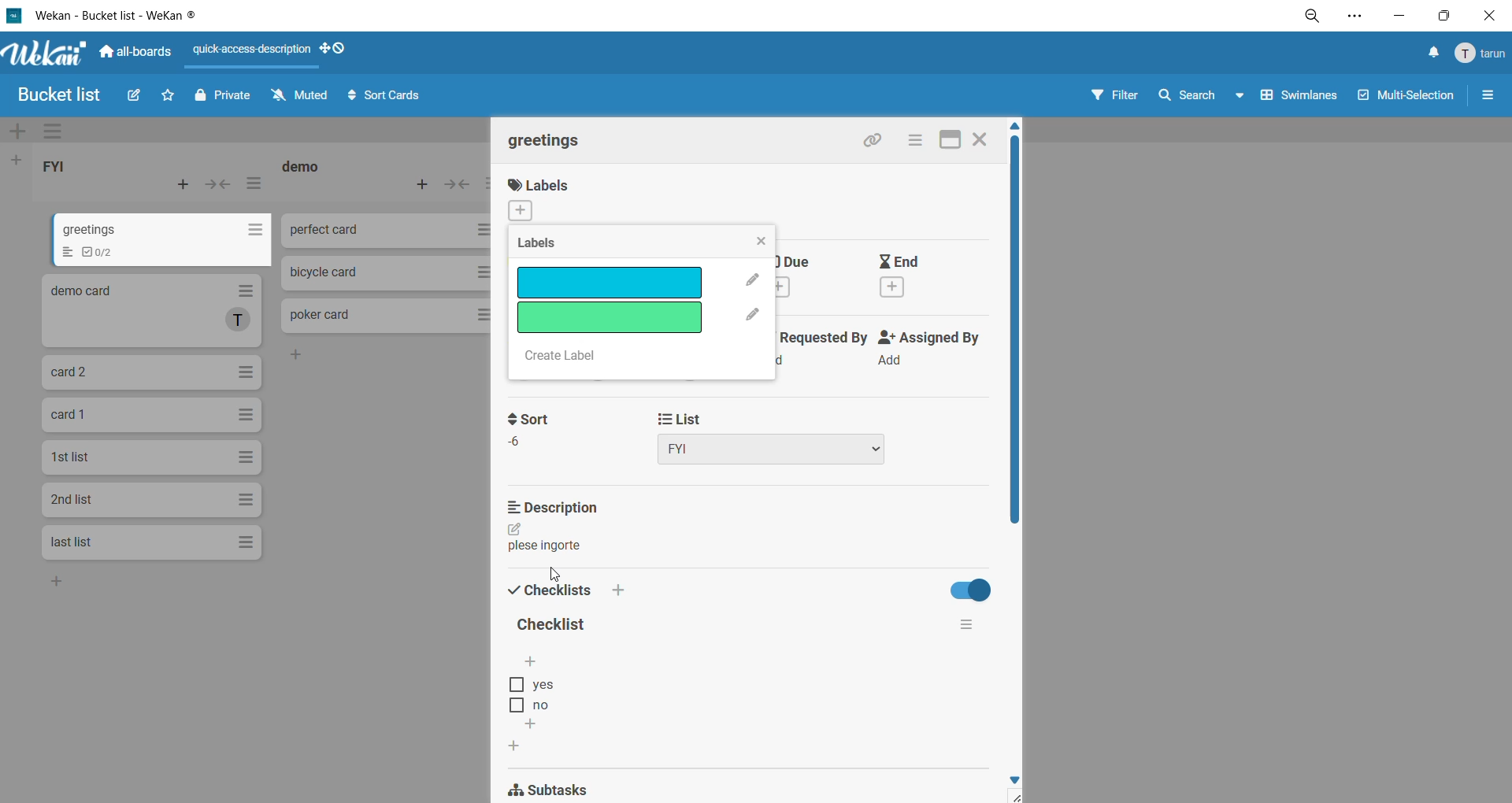 The height and width of the screenshot is (803, 1512). Describe the element at coordinates (300, 94) in the screenshot. I see `muted` at that location.